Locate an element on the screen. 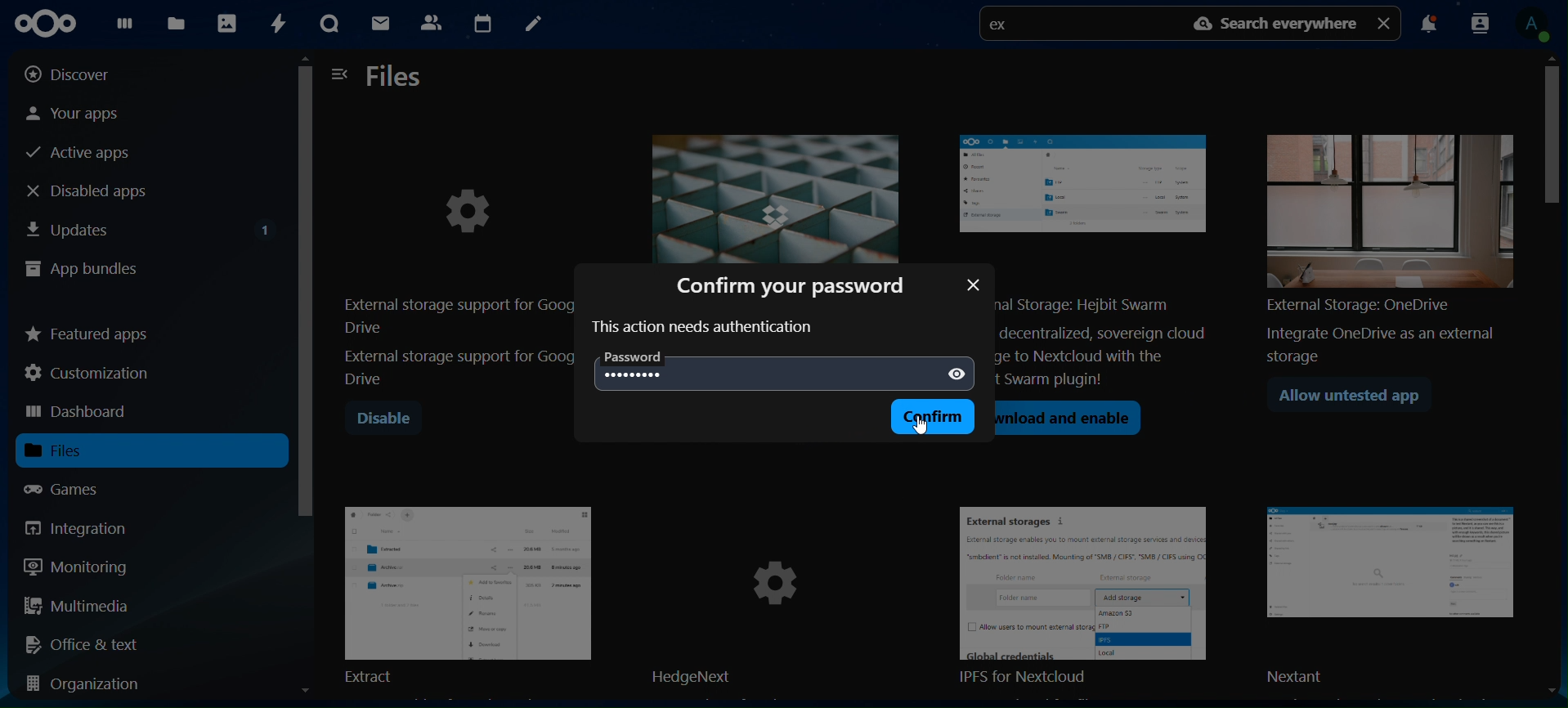 The image size is (1568, 708). files is located at coordinates (179, 23).